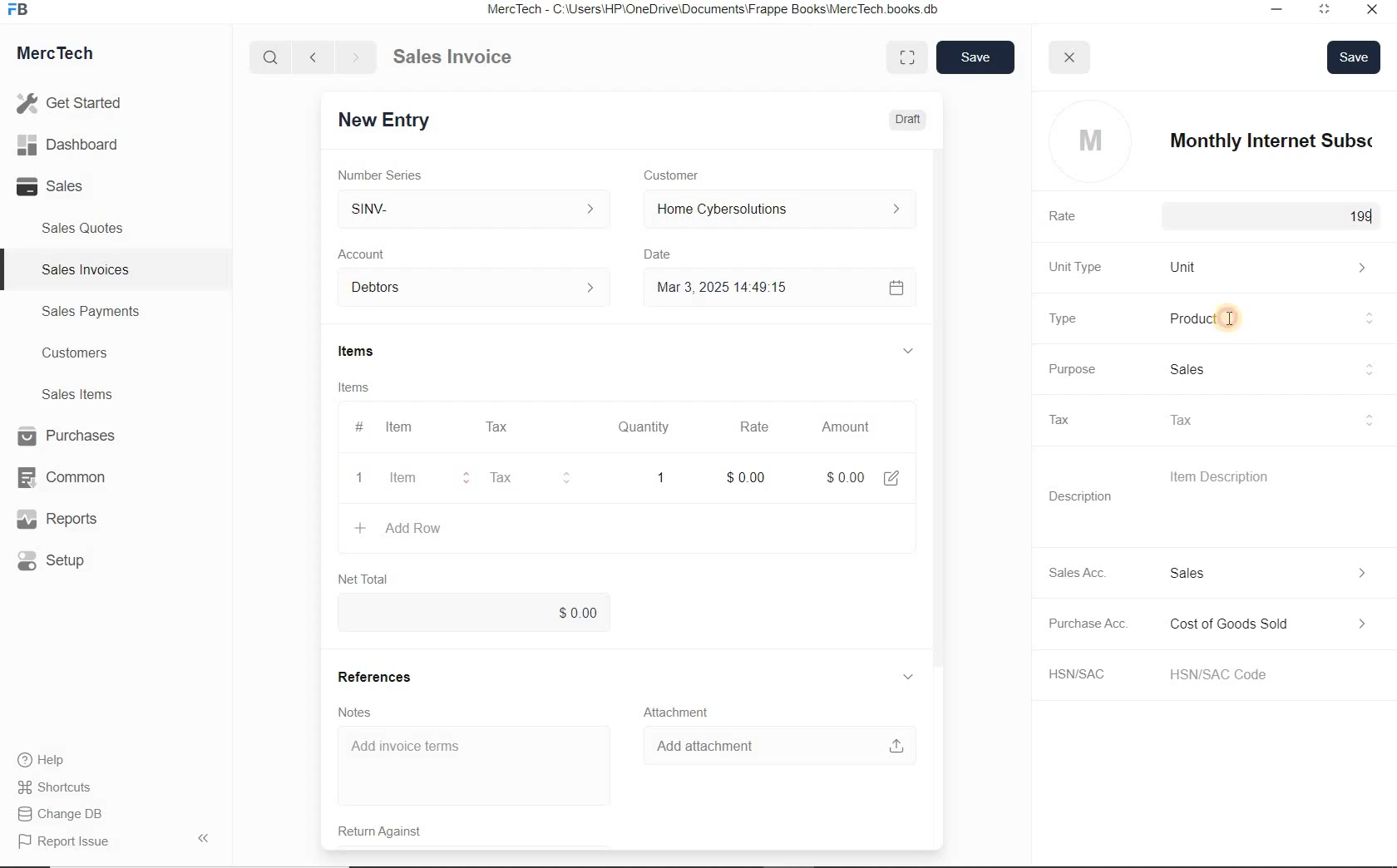 The width and height of the screenshot is (1397, 868). What do you see at coordinates (1268, 624) in the screenshot?
I see `Expense` at bounding box center [1268, 624].